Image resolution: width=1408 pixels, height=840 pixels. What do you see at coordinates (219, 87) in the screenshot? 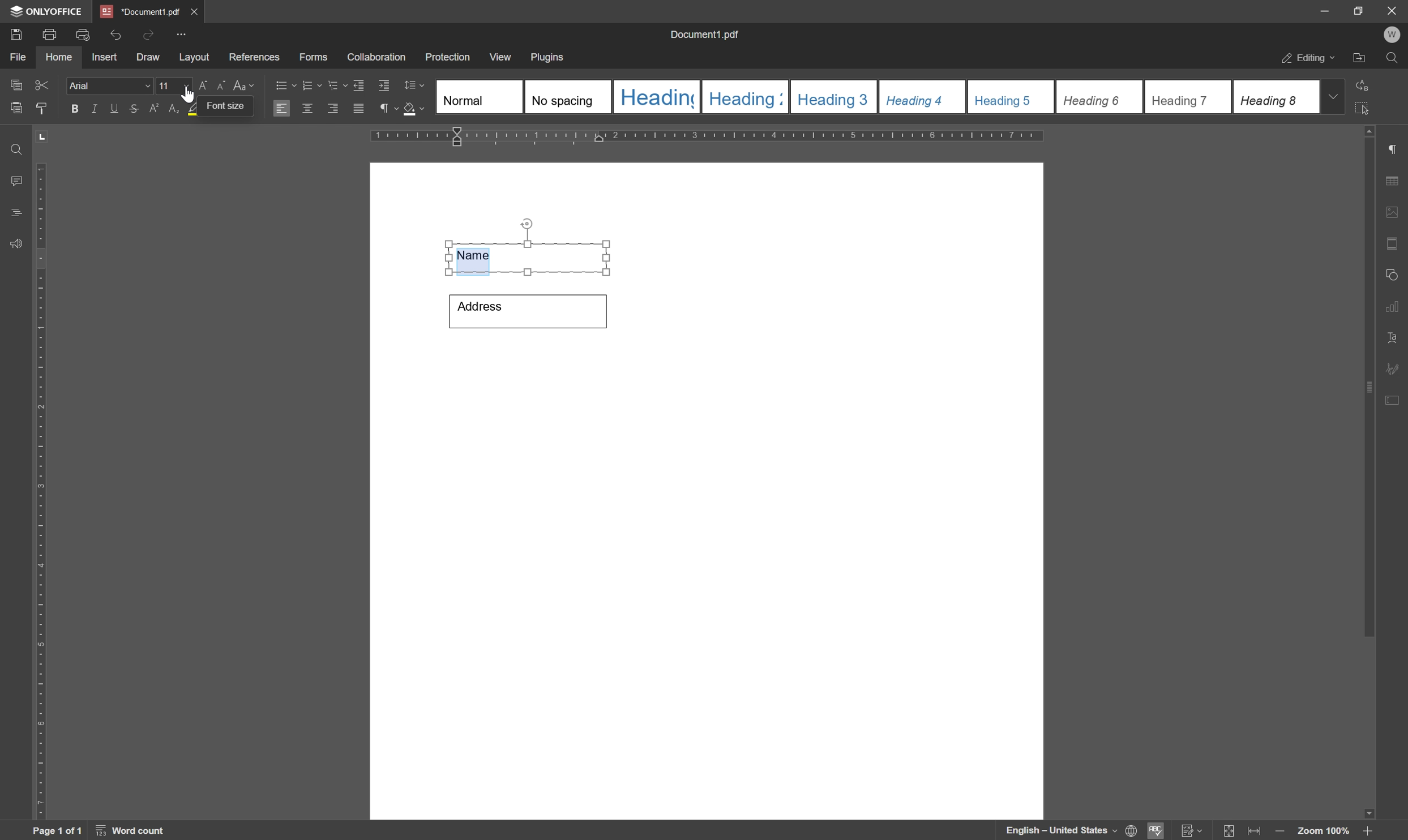
I see `decrement font size` at bounding box center [219, 87].